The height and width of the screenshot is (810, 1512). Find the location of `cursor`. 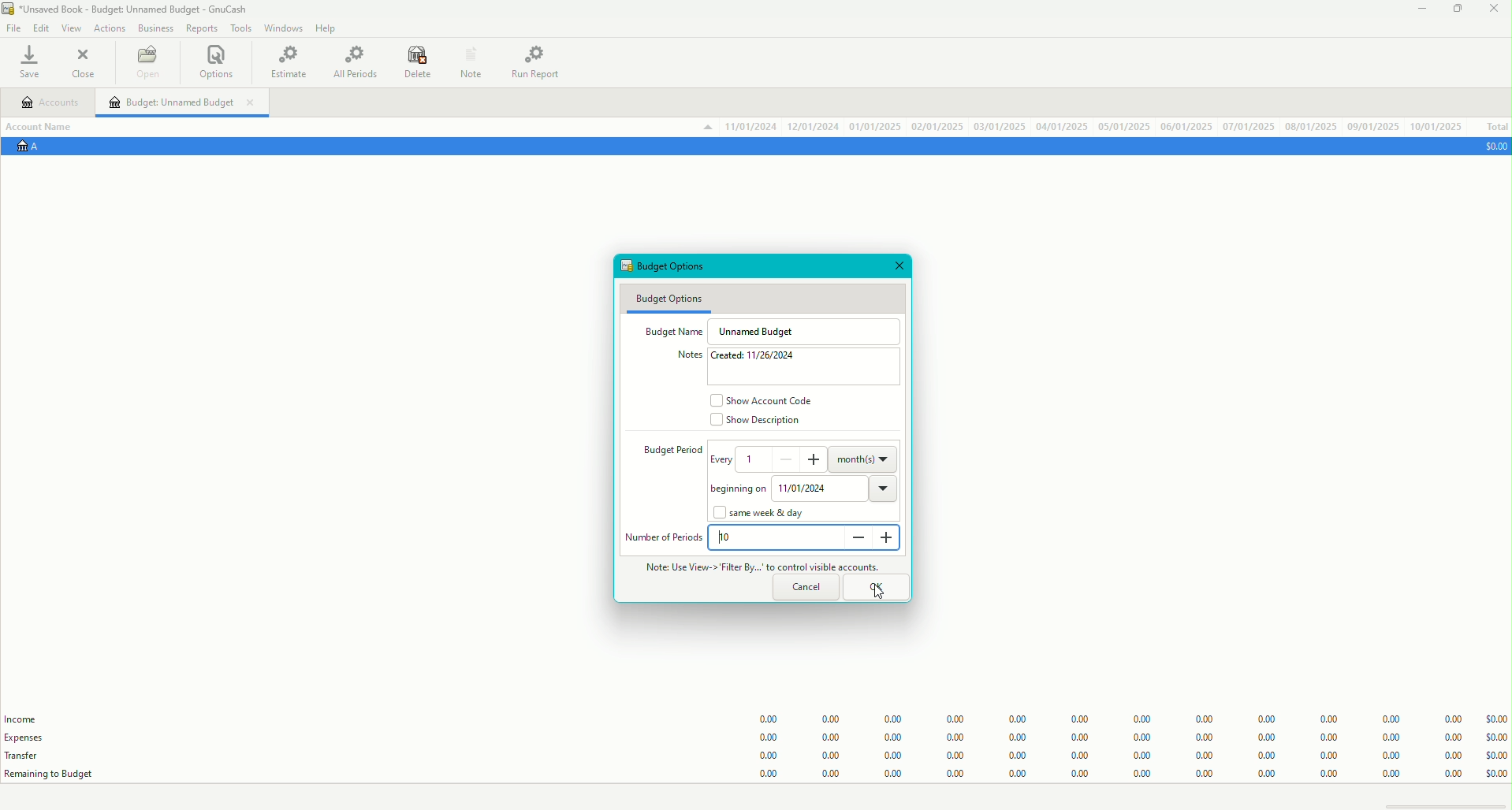

cursor is located at coordinates (884, 593).